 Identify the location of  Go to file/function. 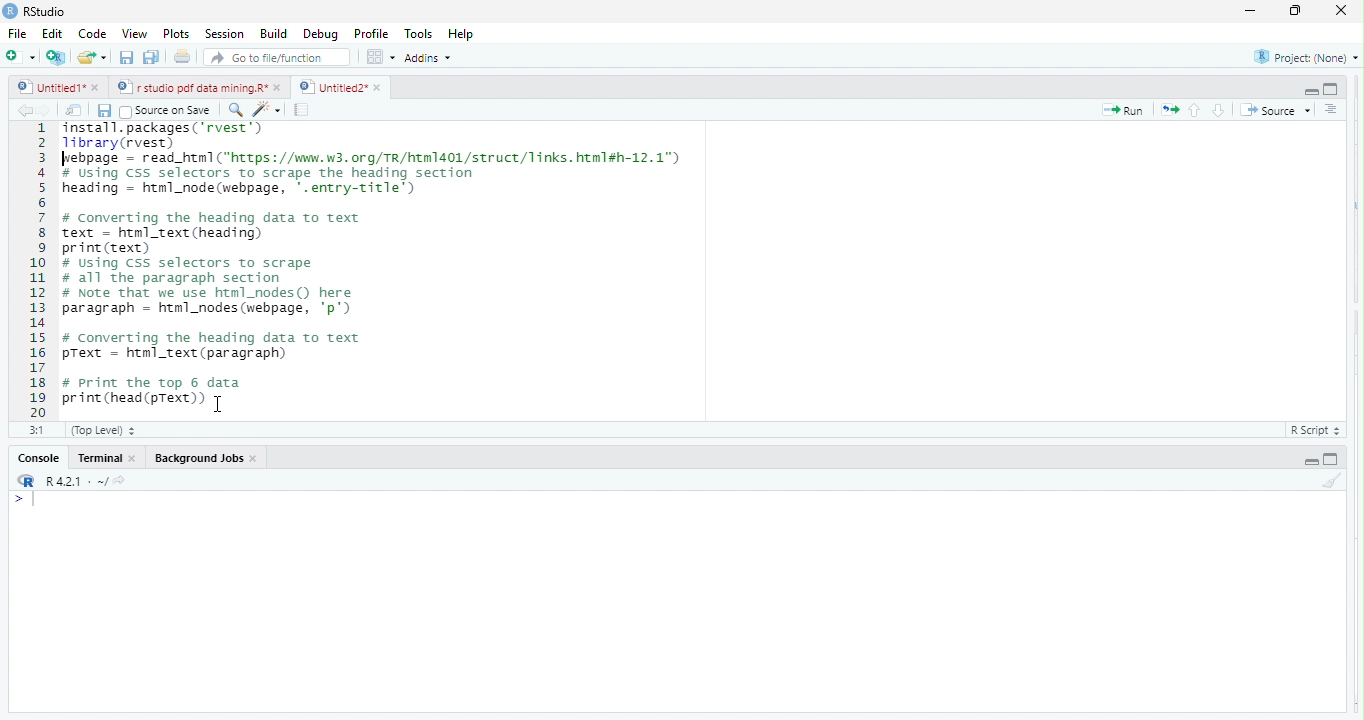
(278, 58).